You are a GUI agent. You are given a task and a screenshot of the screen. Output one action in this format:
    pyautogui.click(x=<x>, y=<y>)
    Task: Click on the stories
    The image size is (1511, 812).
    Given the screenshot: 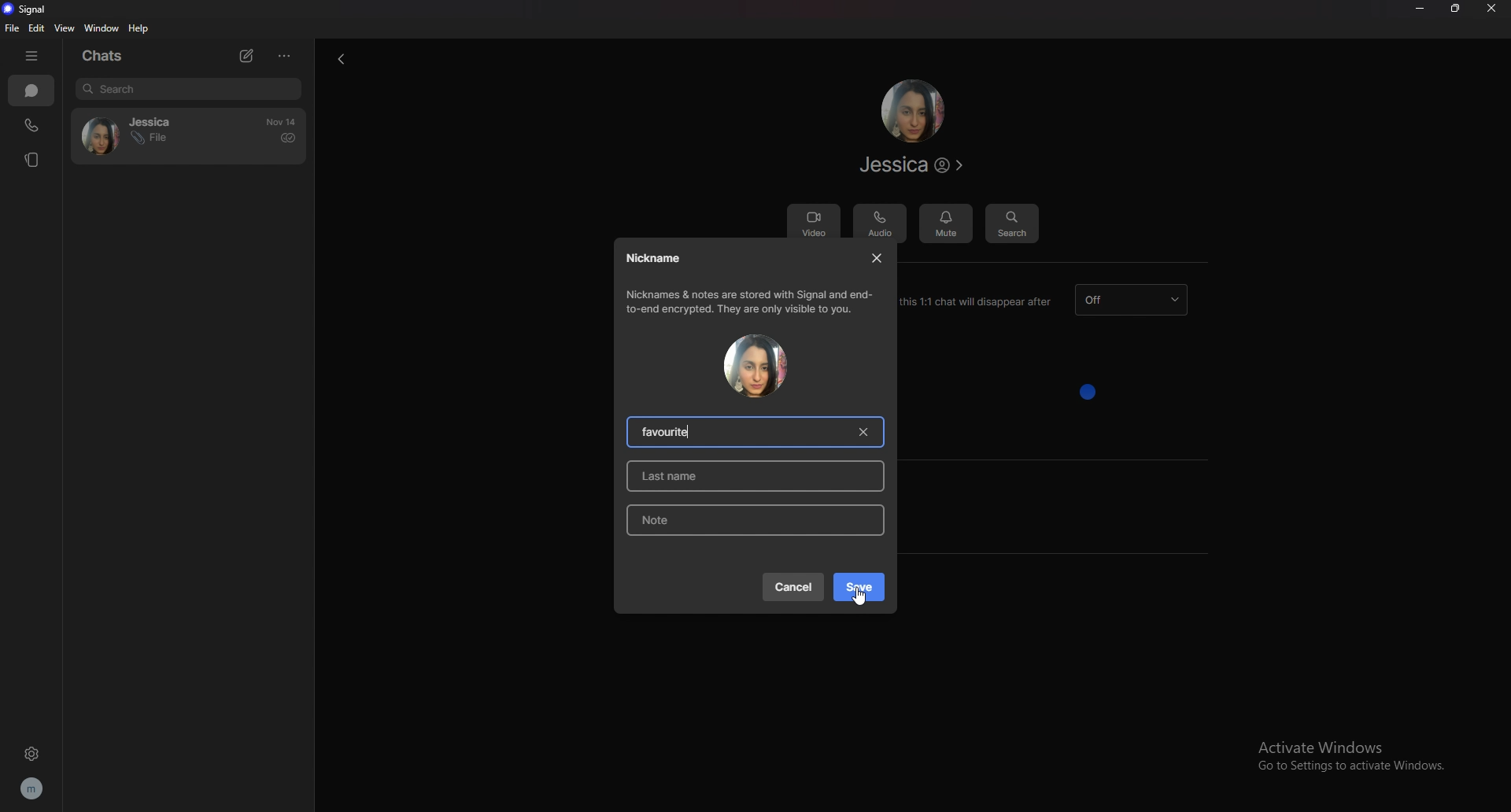 What is the action you would take?
    pyautogui.click(x=29, y=160)
    